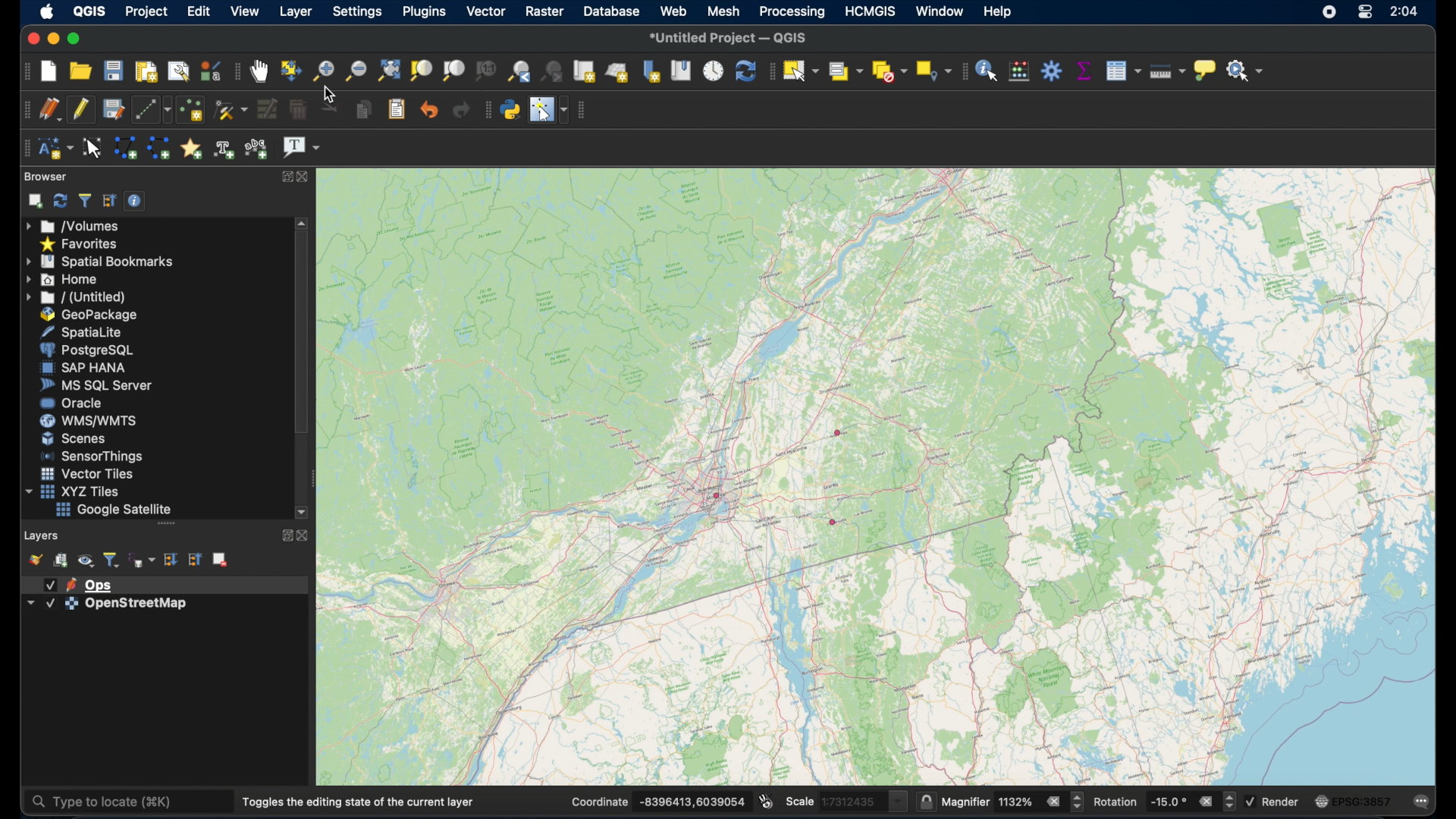 Image resolution: width=1456 pixels, height=819 pixels. I want to click on show layout manager, so click(179, 71).